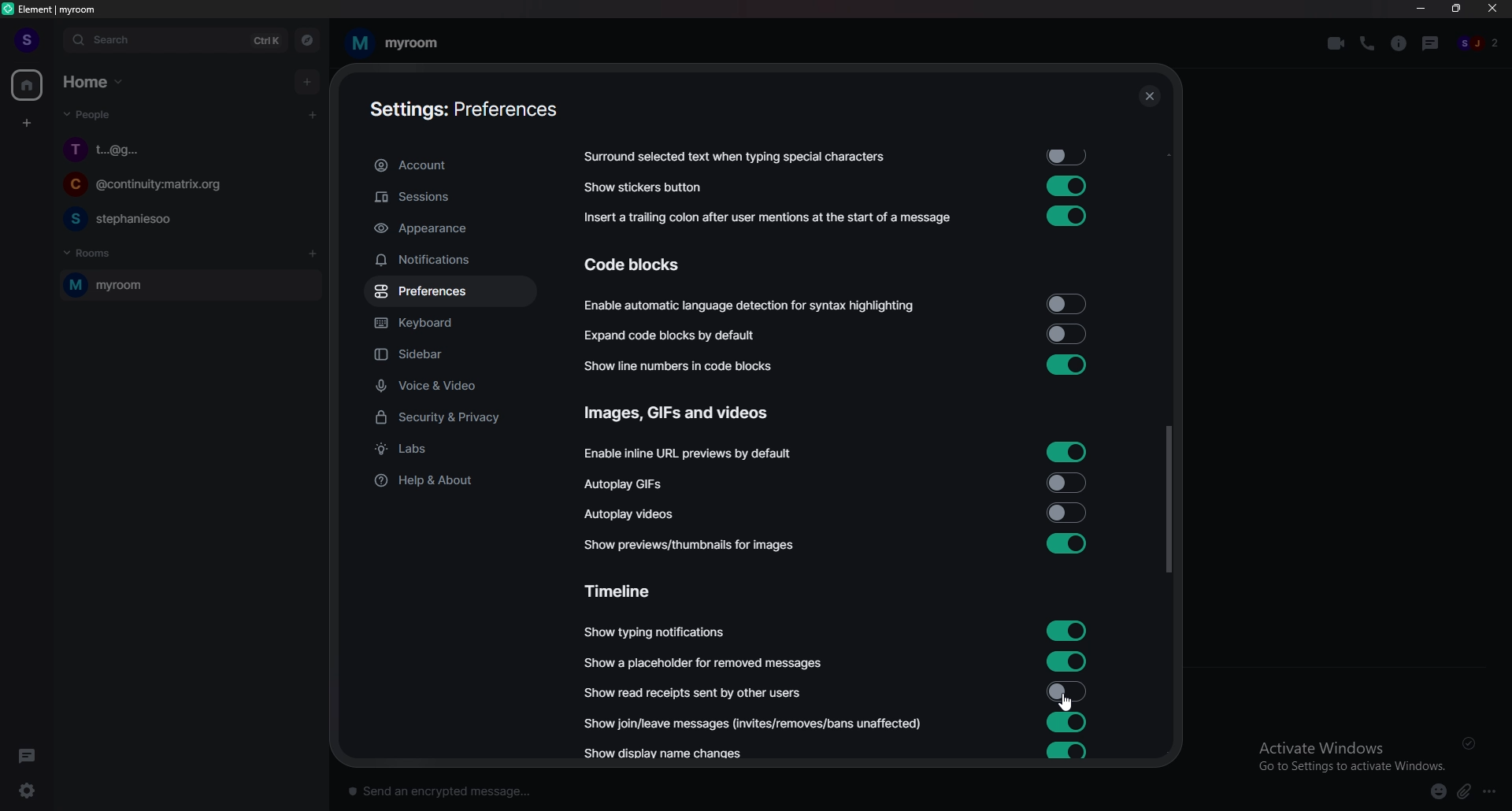 The height and width of the screenshot is (811, 1512). Describe the element at coordinates (1068, 481) in the screenshot. I see `toggle` at that location.